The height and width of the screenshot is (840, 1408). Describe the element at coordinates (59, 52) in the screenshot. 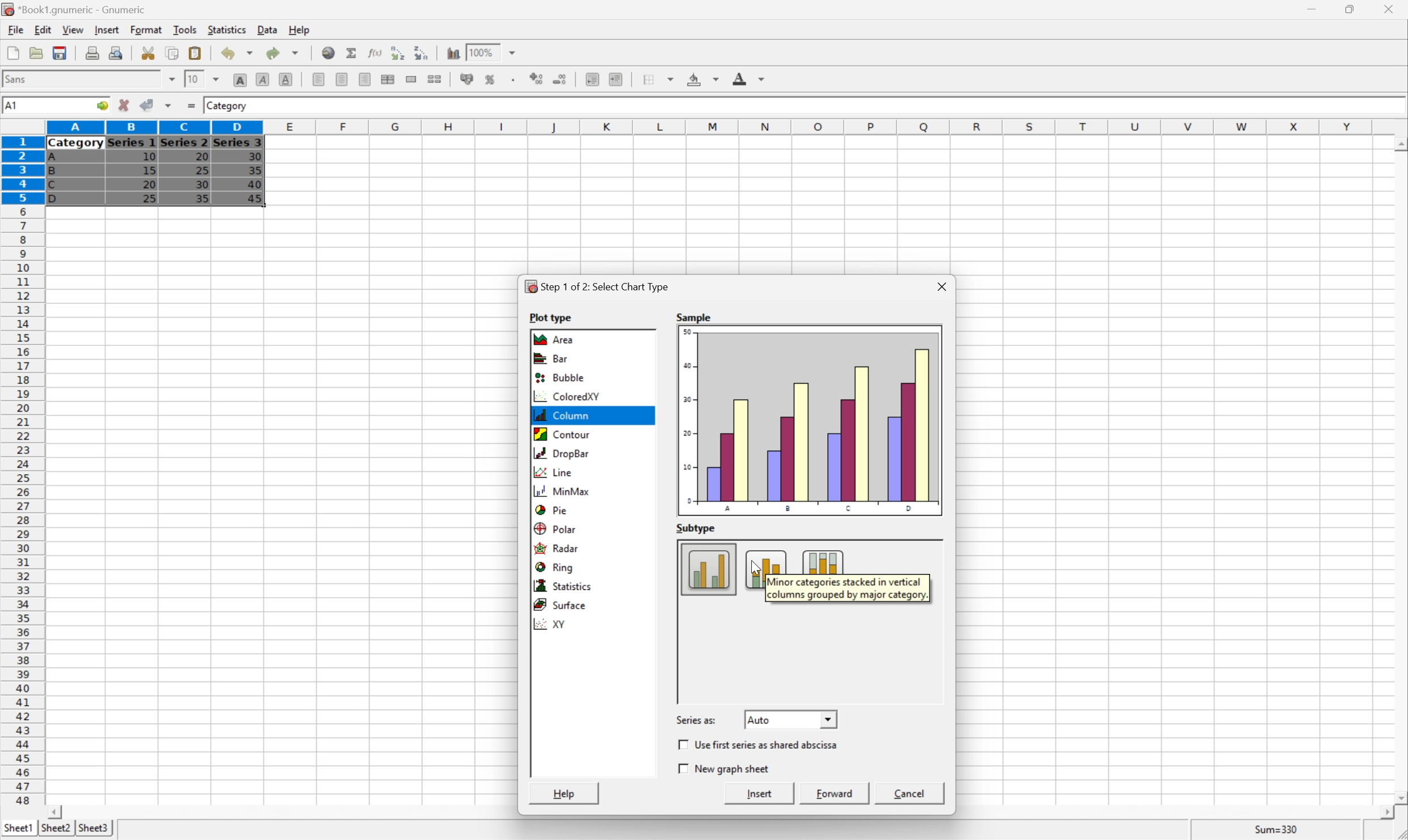

I see `Save current workbook` at that location.